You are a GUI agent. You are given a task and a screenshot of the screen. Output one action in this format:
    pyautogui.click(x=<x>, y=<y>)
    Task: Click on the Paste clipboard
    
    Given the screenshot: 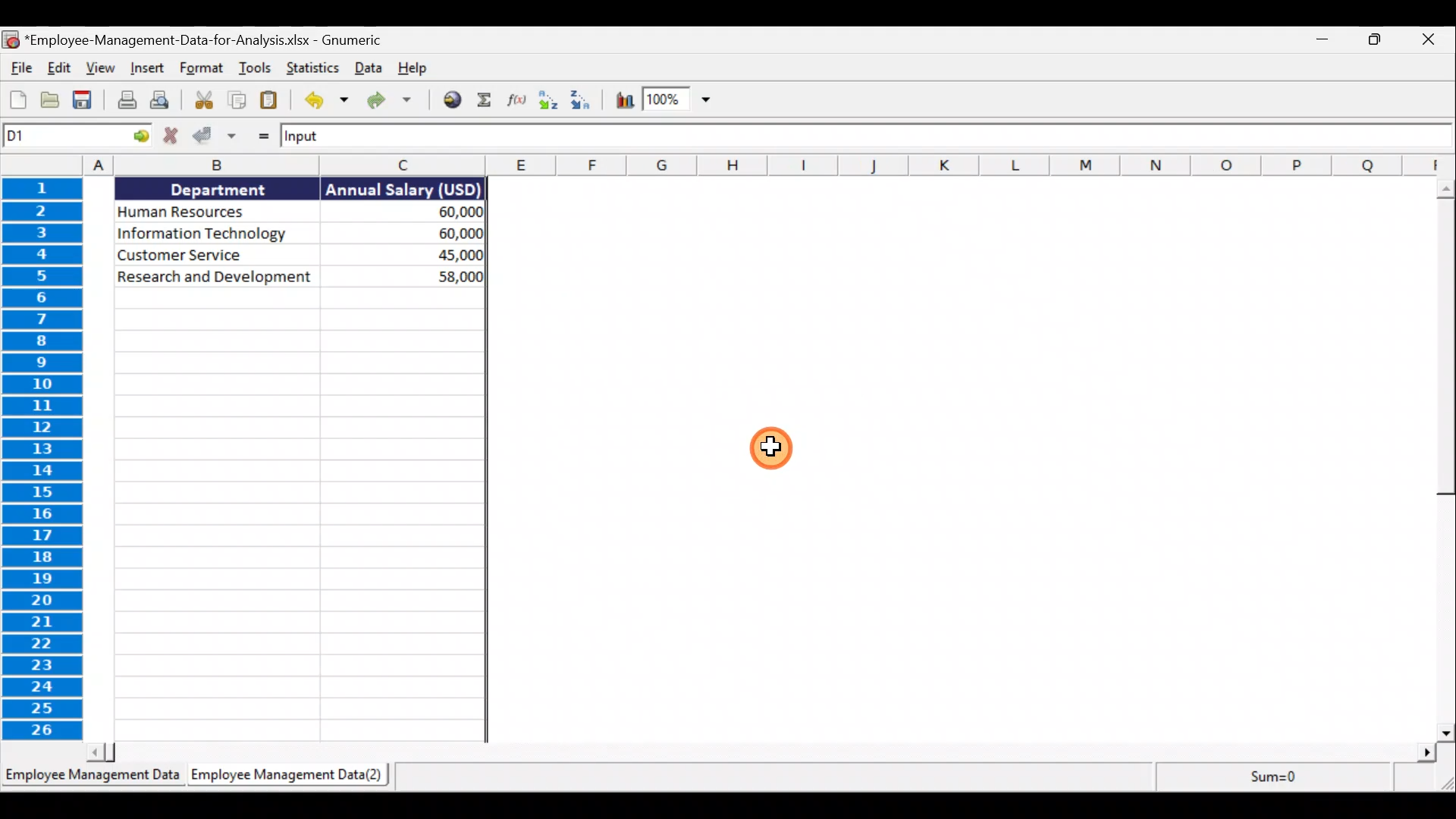 What is the action you would take?
    pyautogui.click(x=274, y=99)
    